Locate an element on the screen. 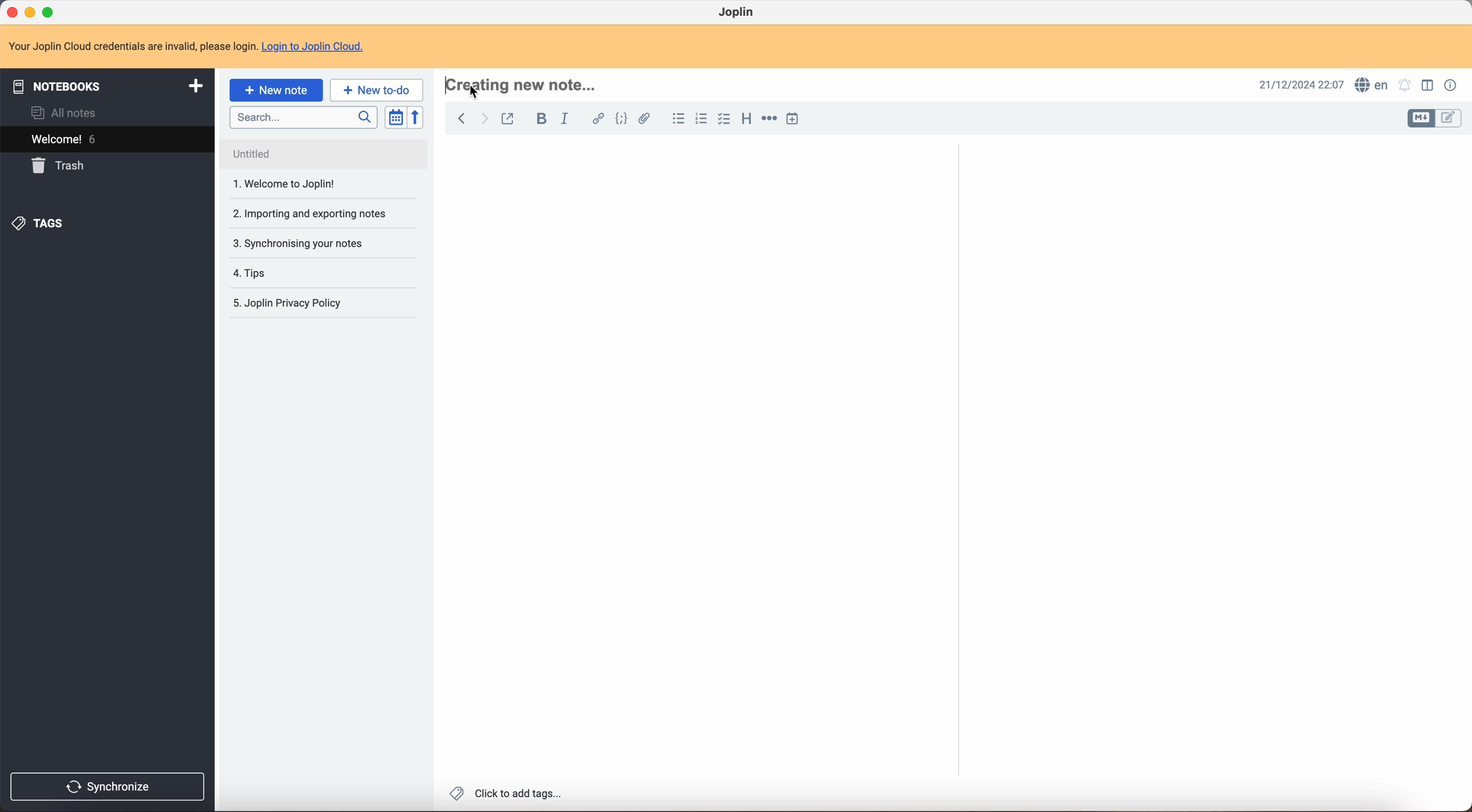  back is located at coordinates (461, 120).